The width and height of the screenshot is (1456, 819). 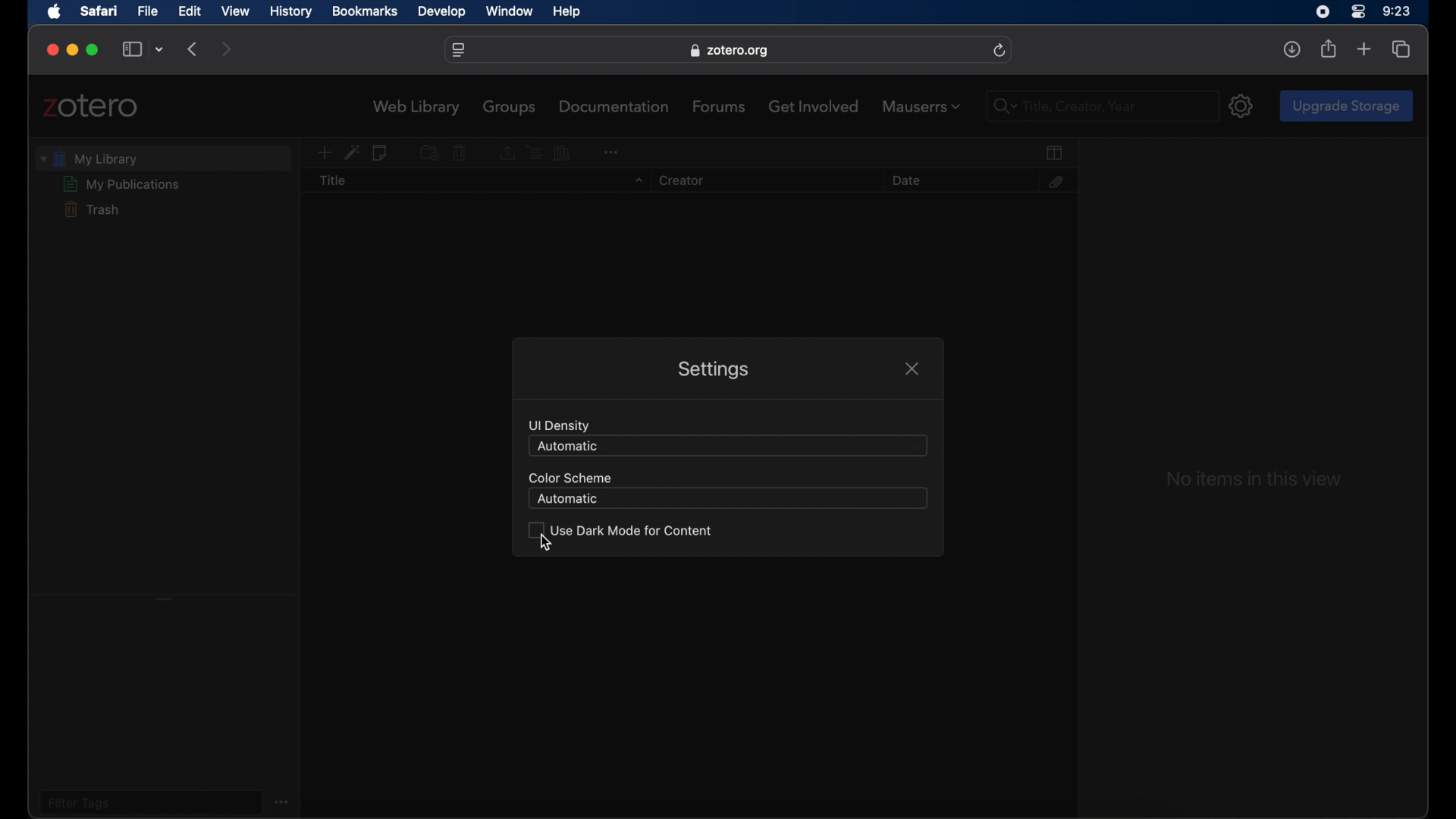 What do you see at coordinates (1056, 152) in the screenshot?
I see `column selector` at bounding box center [1056, 152].